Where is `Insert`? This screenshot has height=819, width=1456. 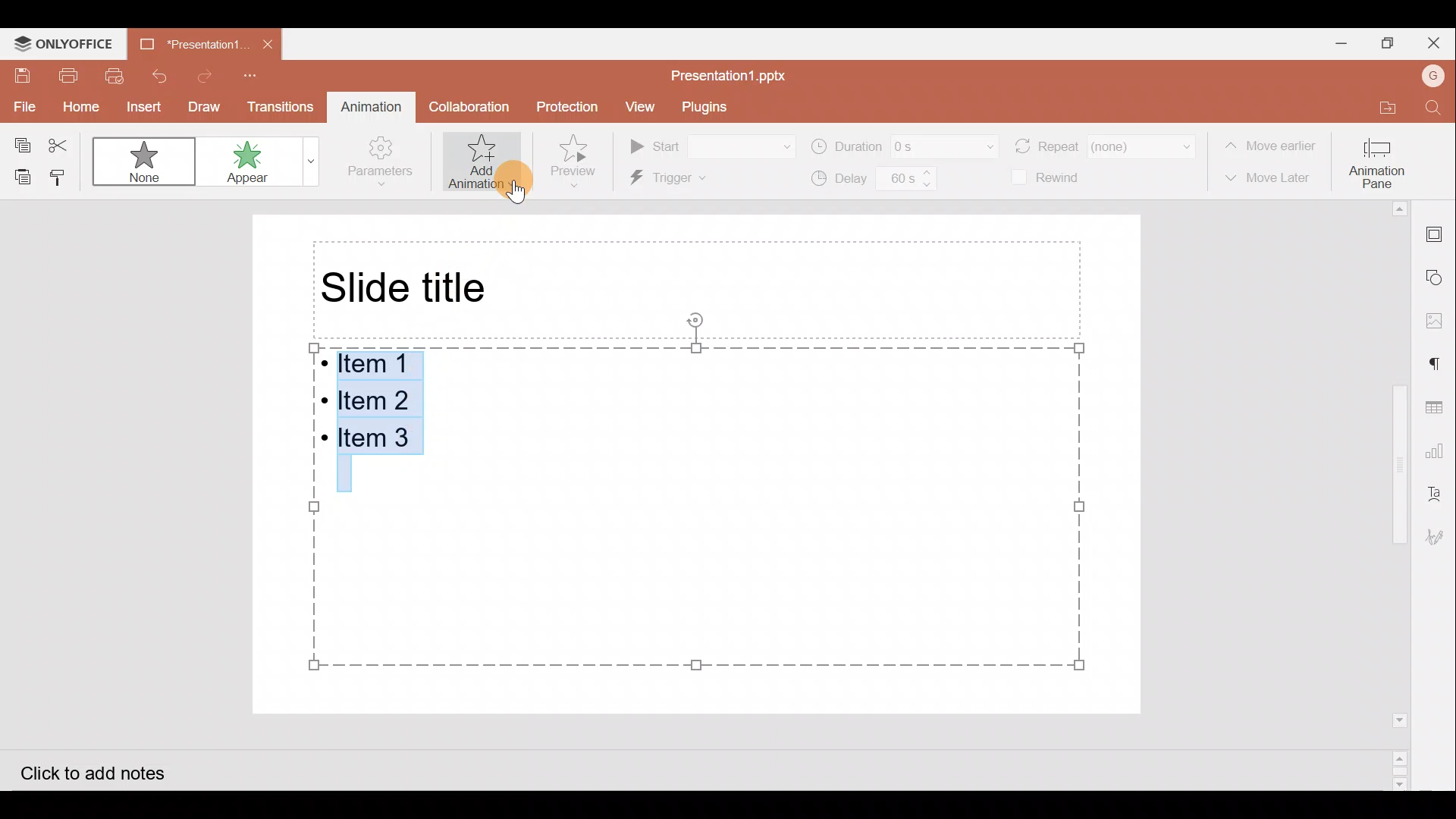 Insert is located at coordinates (140, 105).